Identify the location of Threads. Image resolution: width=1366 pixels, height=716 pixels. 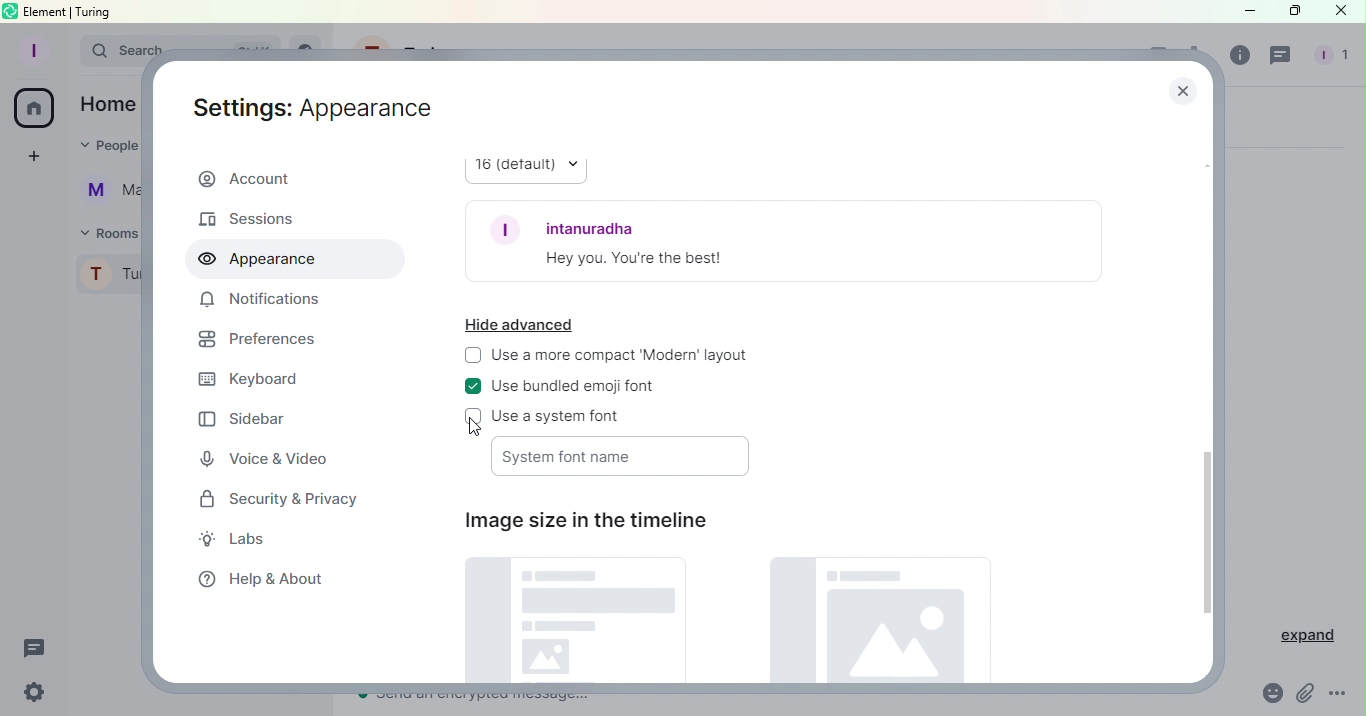
(34, 645).